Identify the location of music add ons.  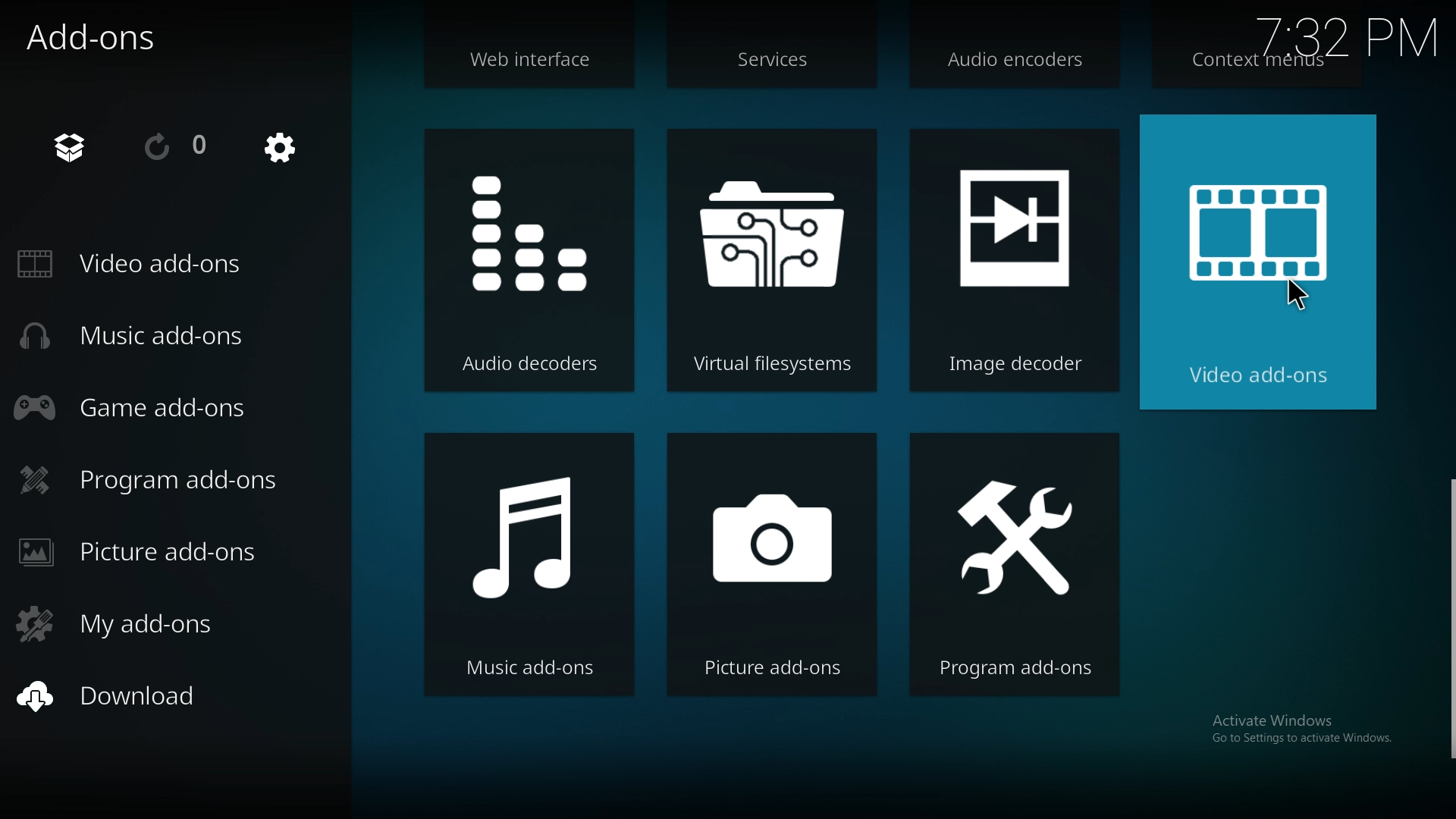
(142, 336).